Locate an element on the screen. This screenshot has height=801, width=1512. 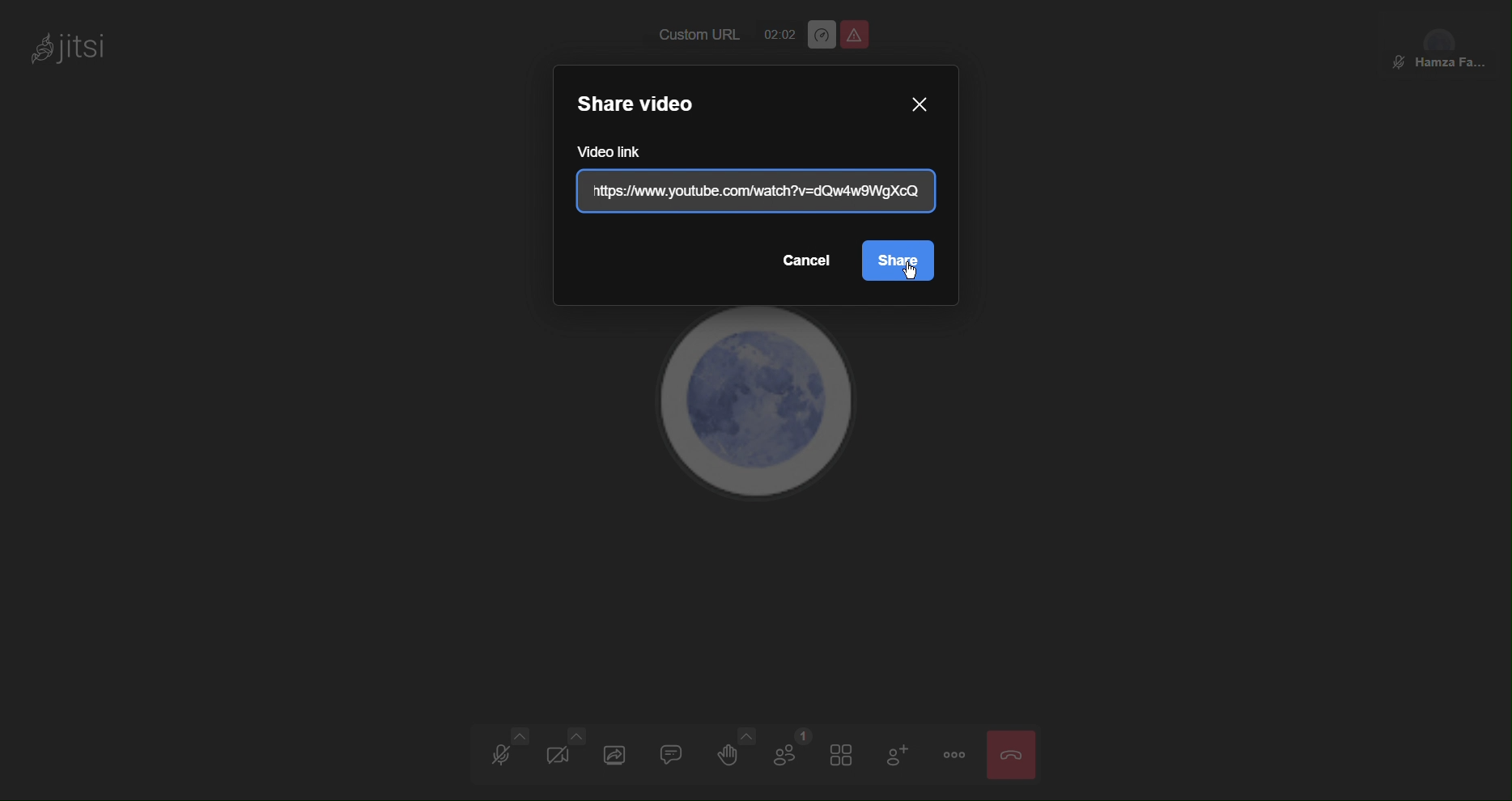
Participants is located at coordinates (788, 756).